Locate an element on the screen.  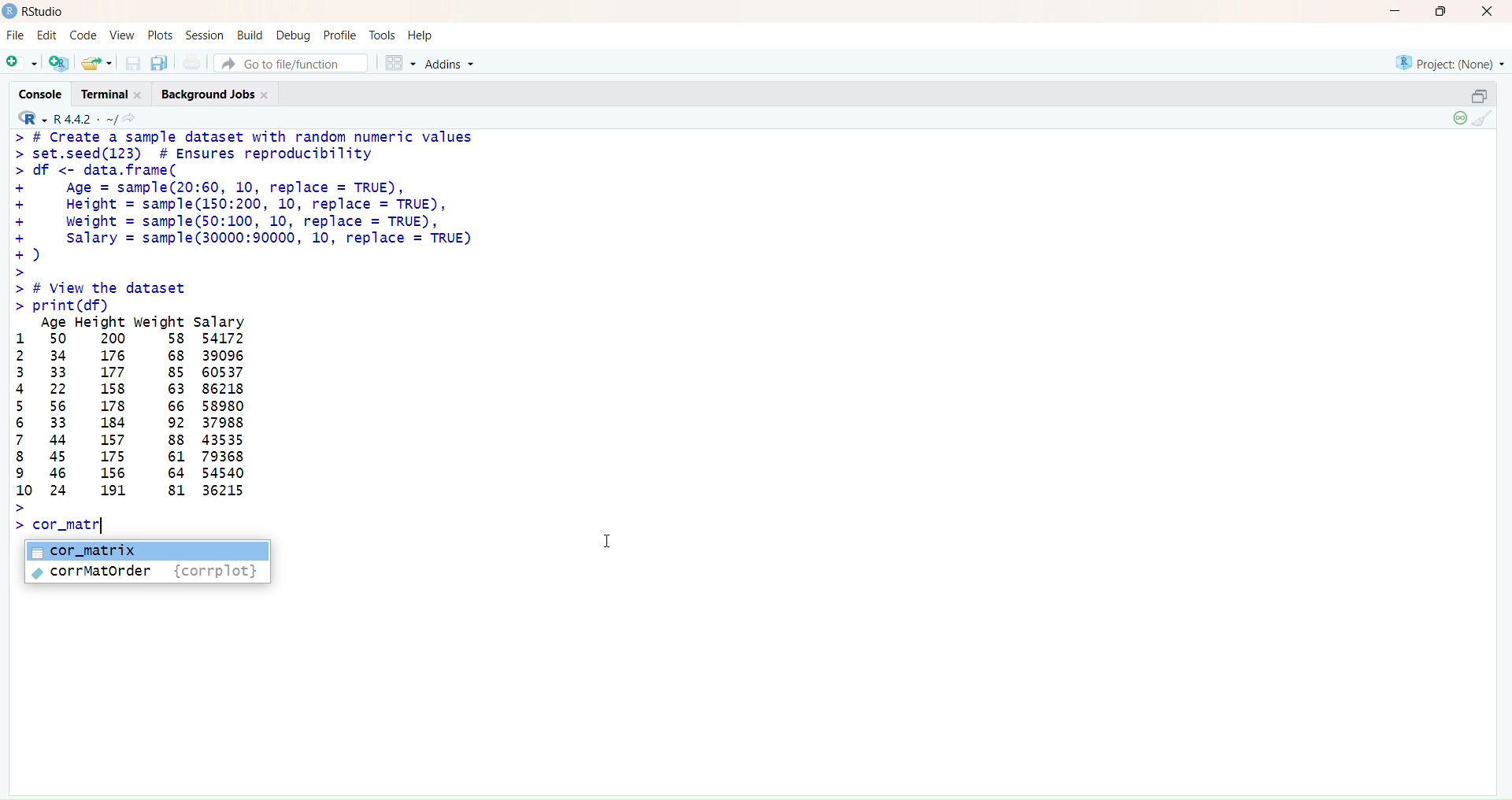
RStudio is located at coordinates (36, 12).